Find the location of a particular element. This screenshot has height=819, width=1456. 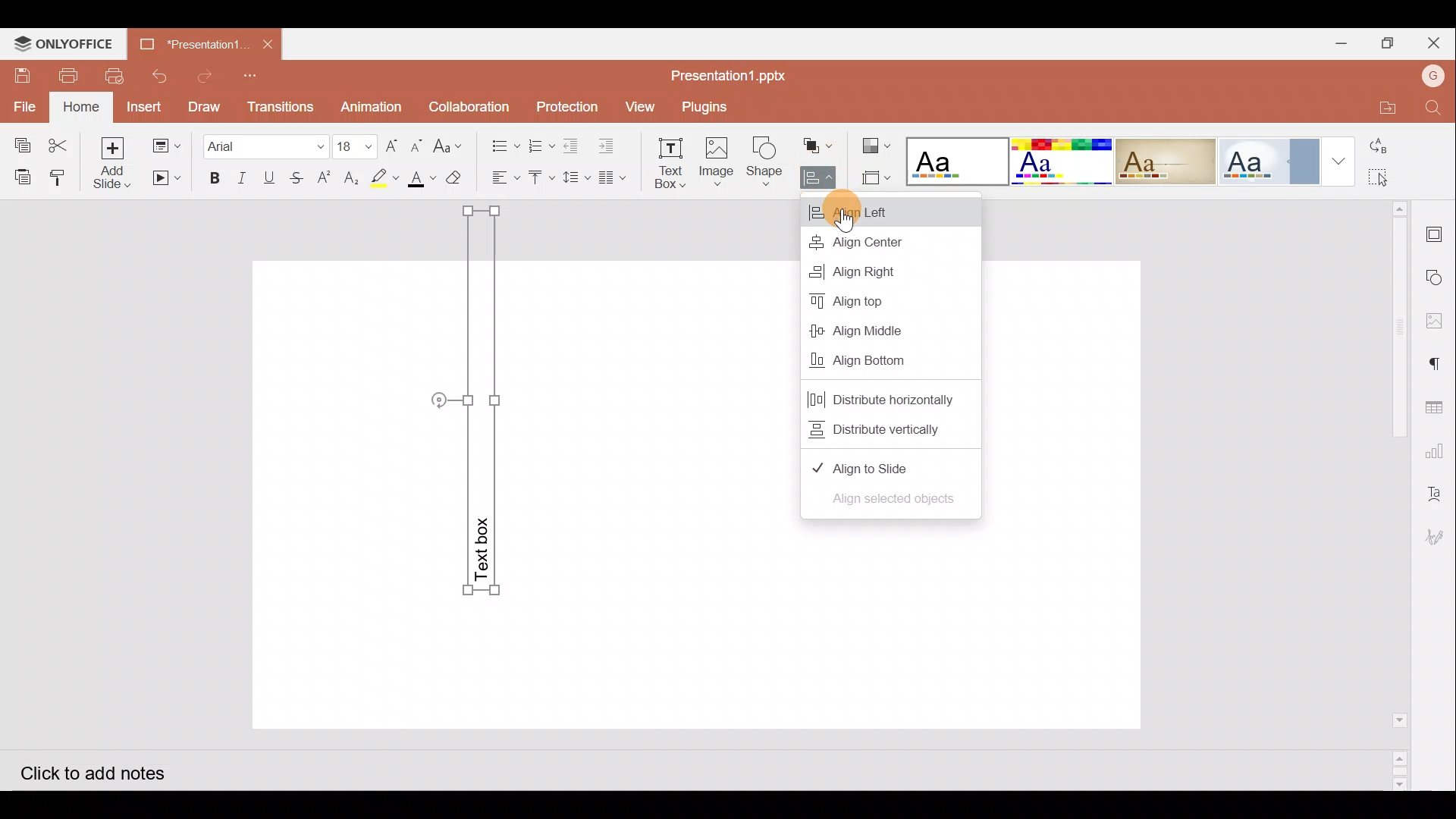

Insert is located at coordinates (144, 107).